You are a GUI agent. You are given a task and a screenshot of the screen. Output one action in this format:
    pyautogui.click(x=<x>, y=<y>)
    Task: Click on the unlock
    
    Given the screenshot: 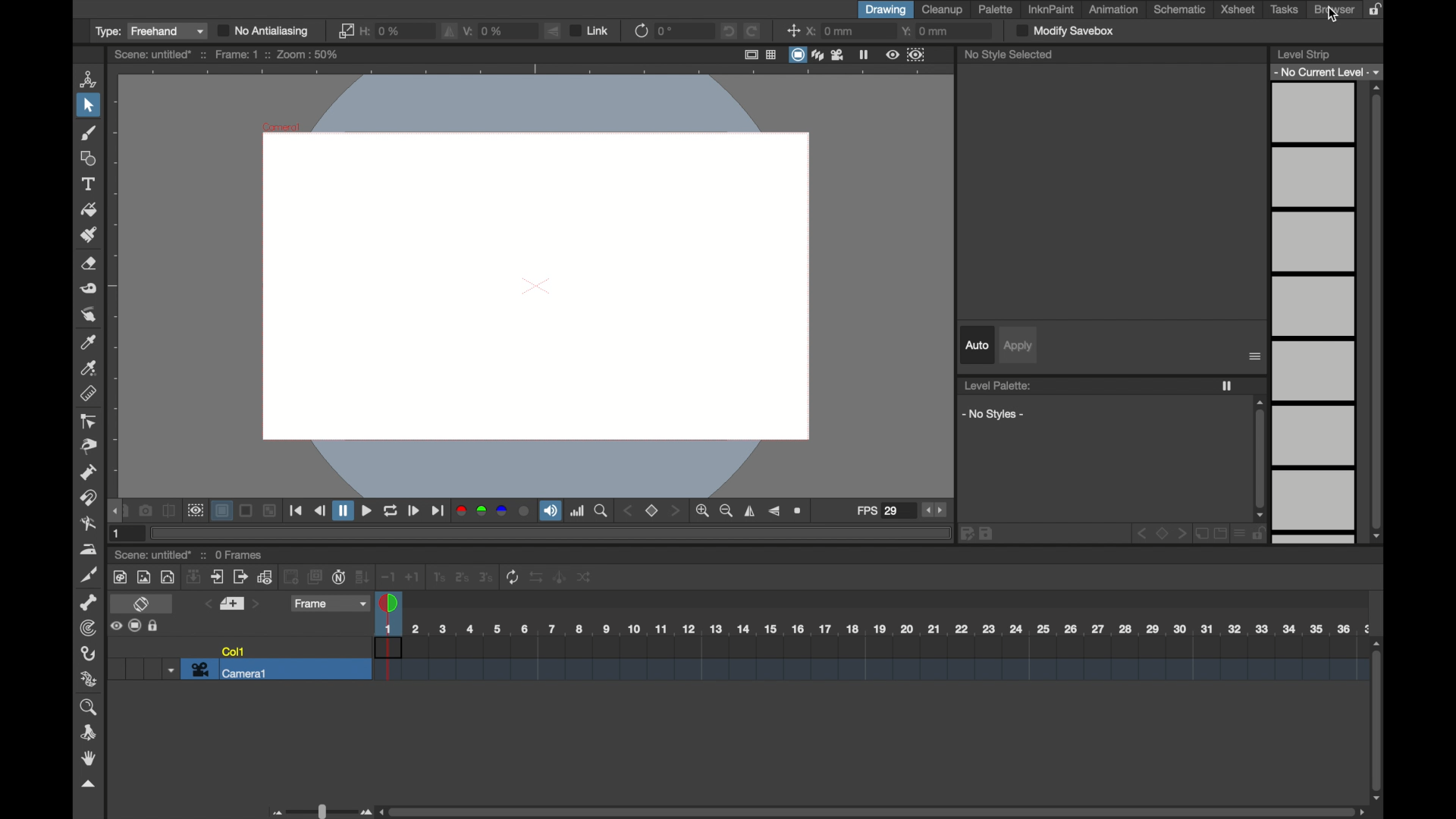 What is the action you would take?
    pyautogui.click(x=1260, y=535)
    